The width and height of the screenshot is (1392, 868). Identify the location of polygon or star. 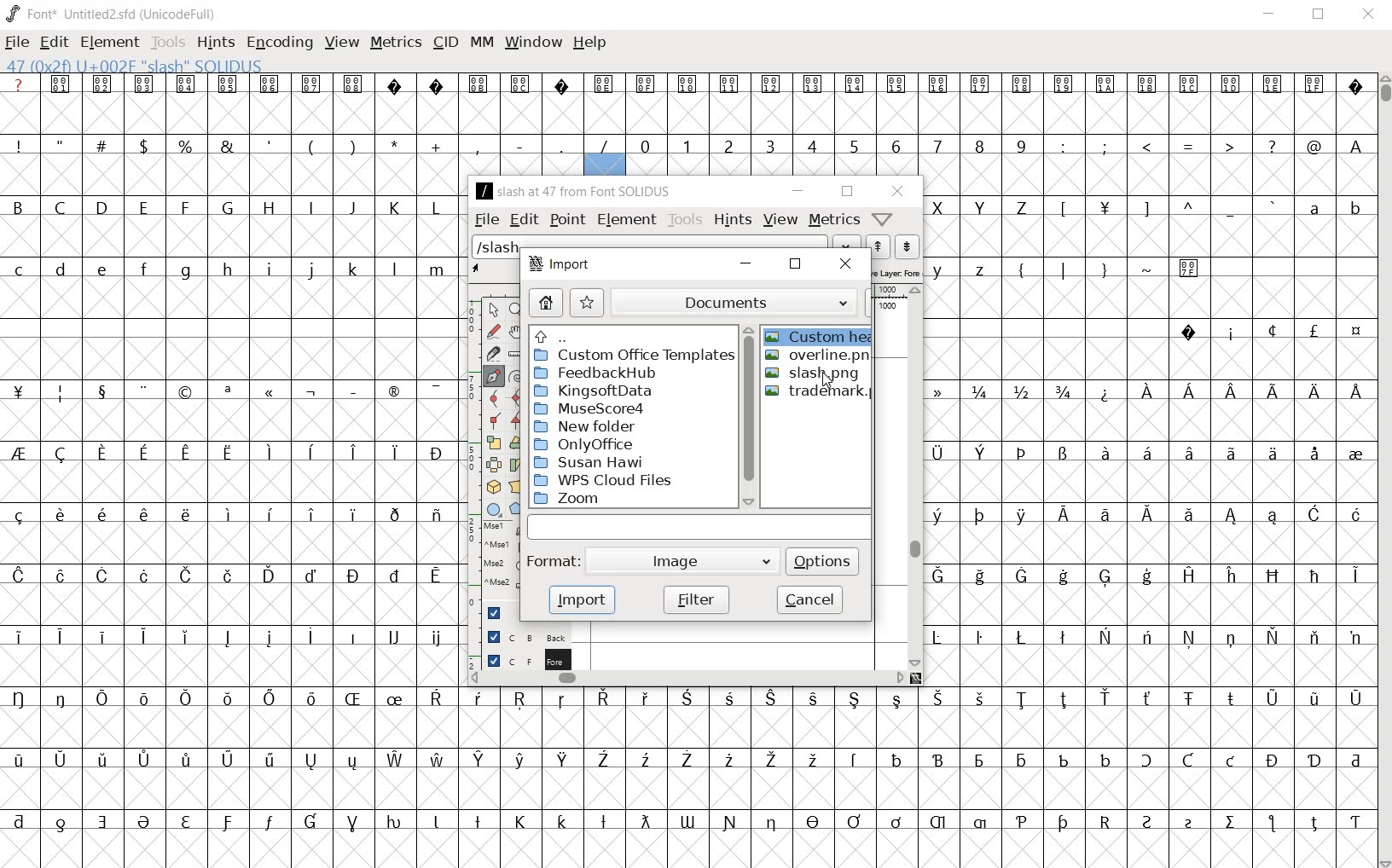
(518, 507).